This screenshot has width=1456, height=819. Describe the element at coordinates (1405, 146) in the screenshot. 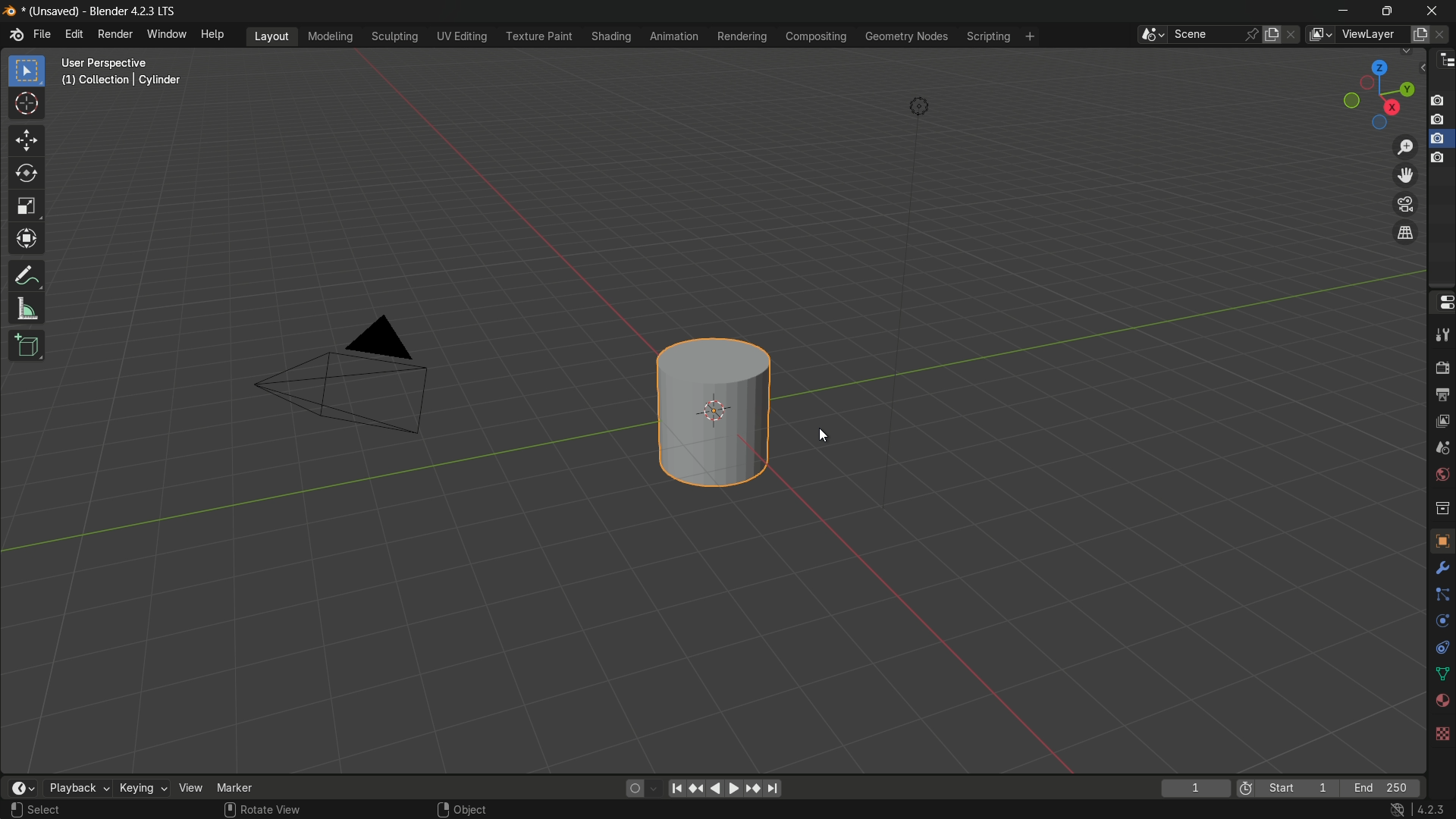

I see `zoom in/out` at that location.